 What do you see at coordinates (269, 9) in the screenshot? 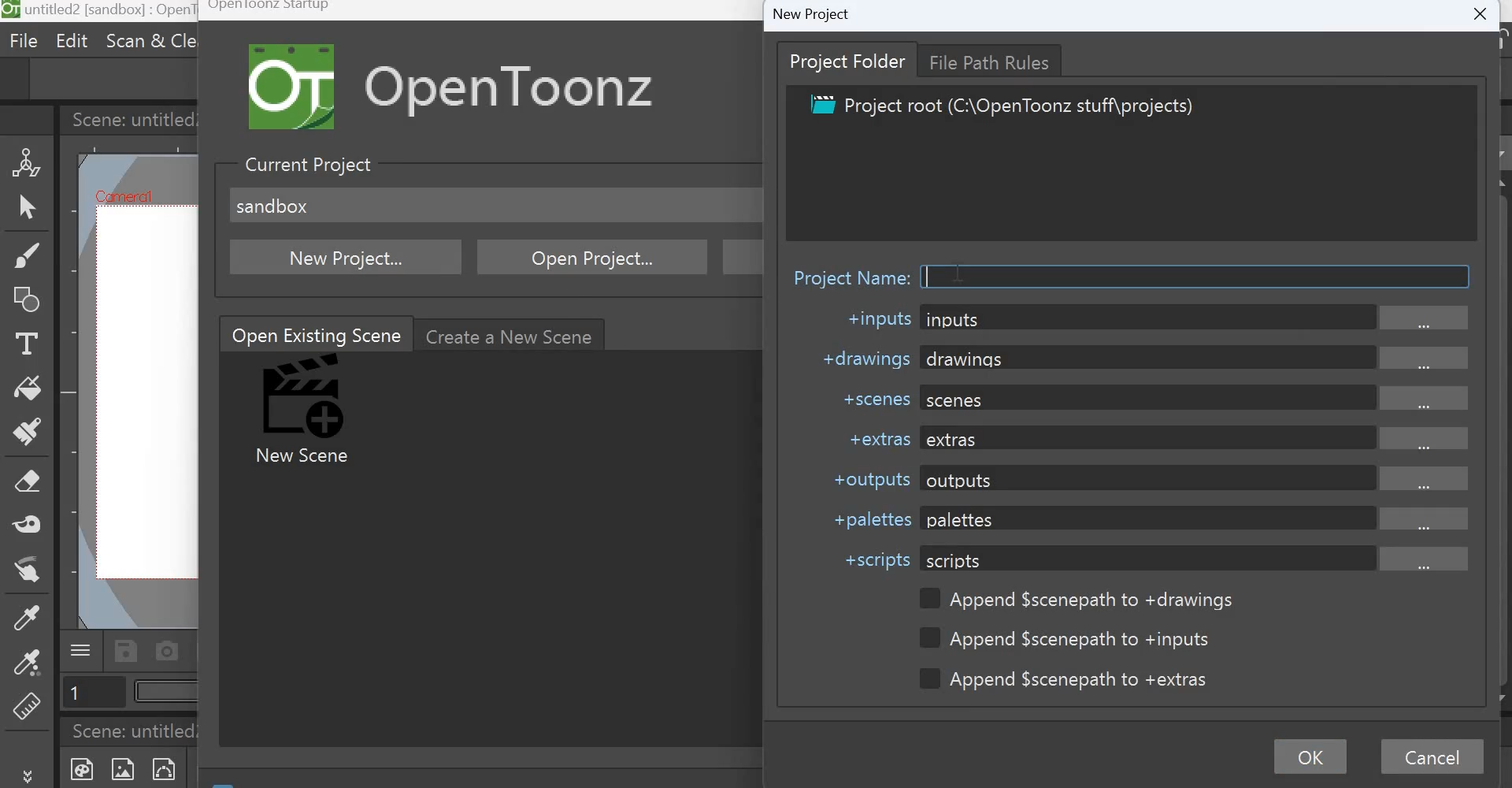
I see `Opentoonz Startup` at bounding box center [269, 9].